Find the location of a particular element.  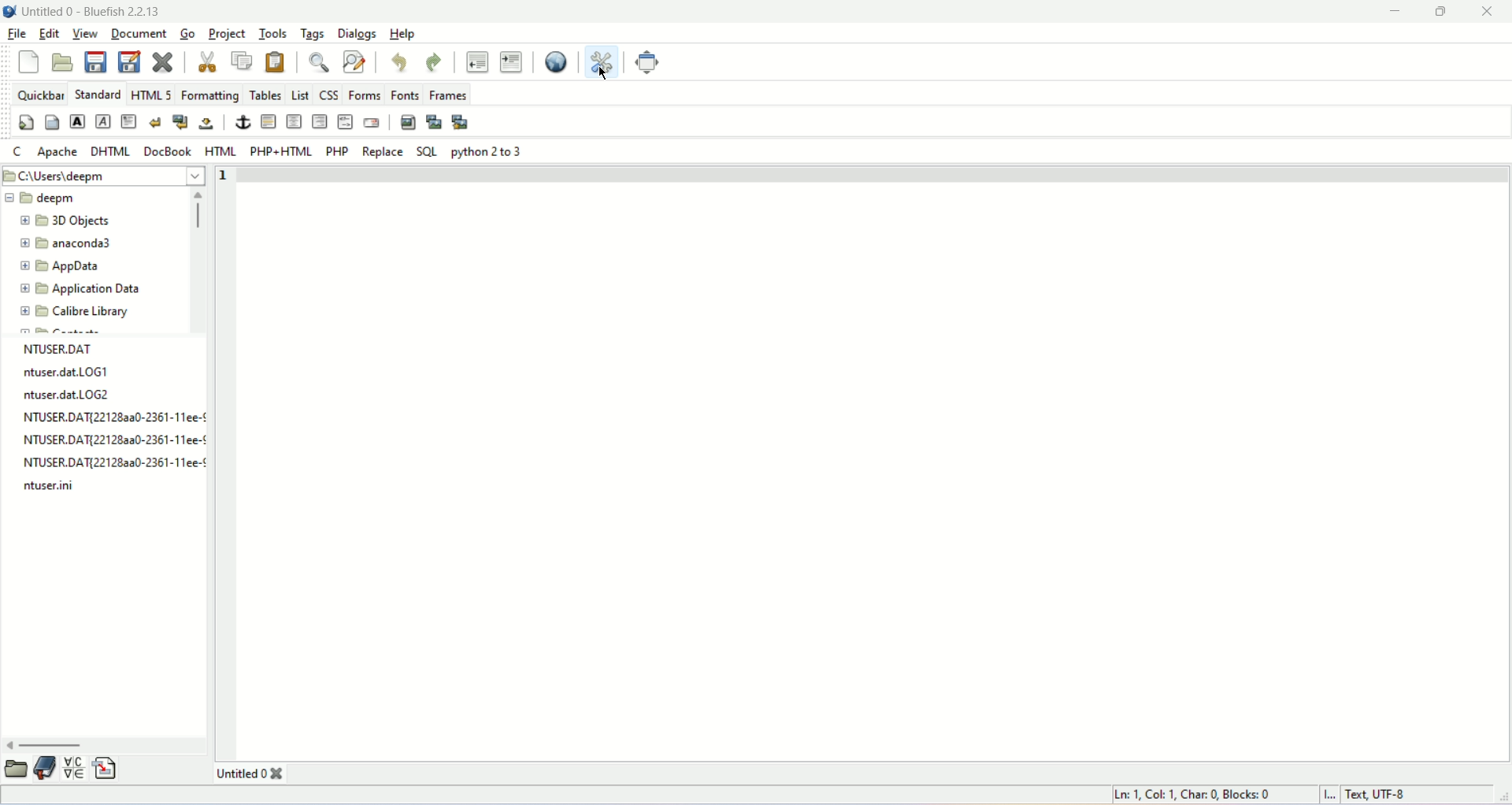

right justify is located at coordinates (318, 121).